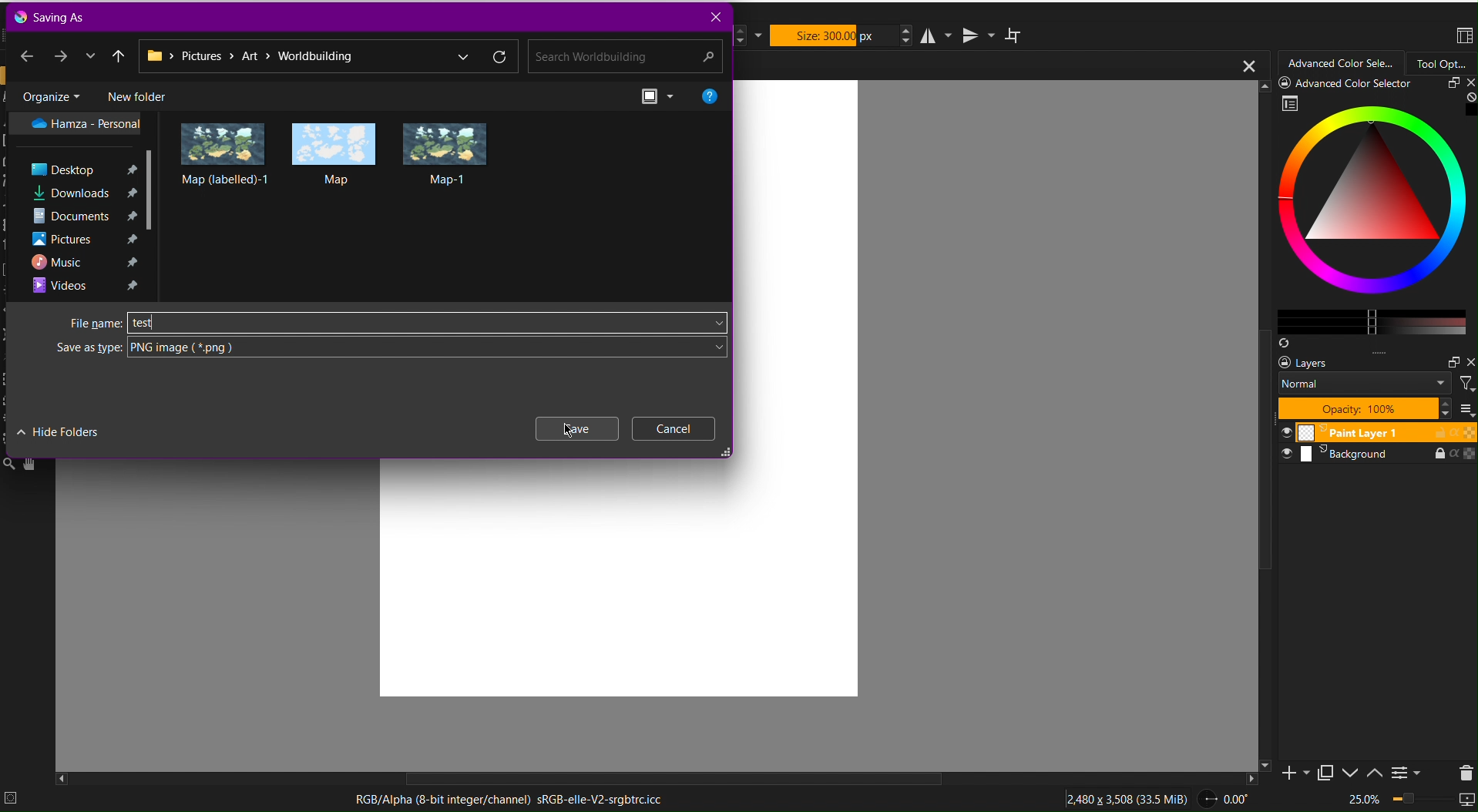 This screenshot has height=812, width=1478. Describe the element at coordinates (87, 204) in the screenshot. I see `Folders` at that location.